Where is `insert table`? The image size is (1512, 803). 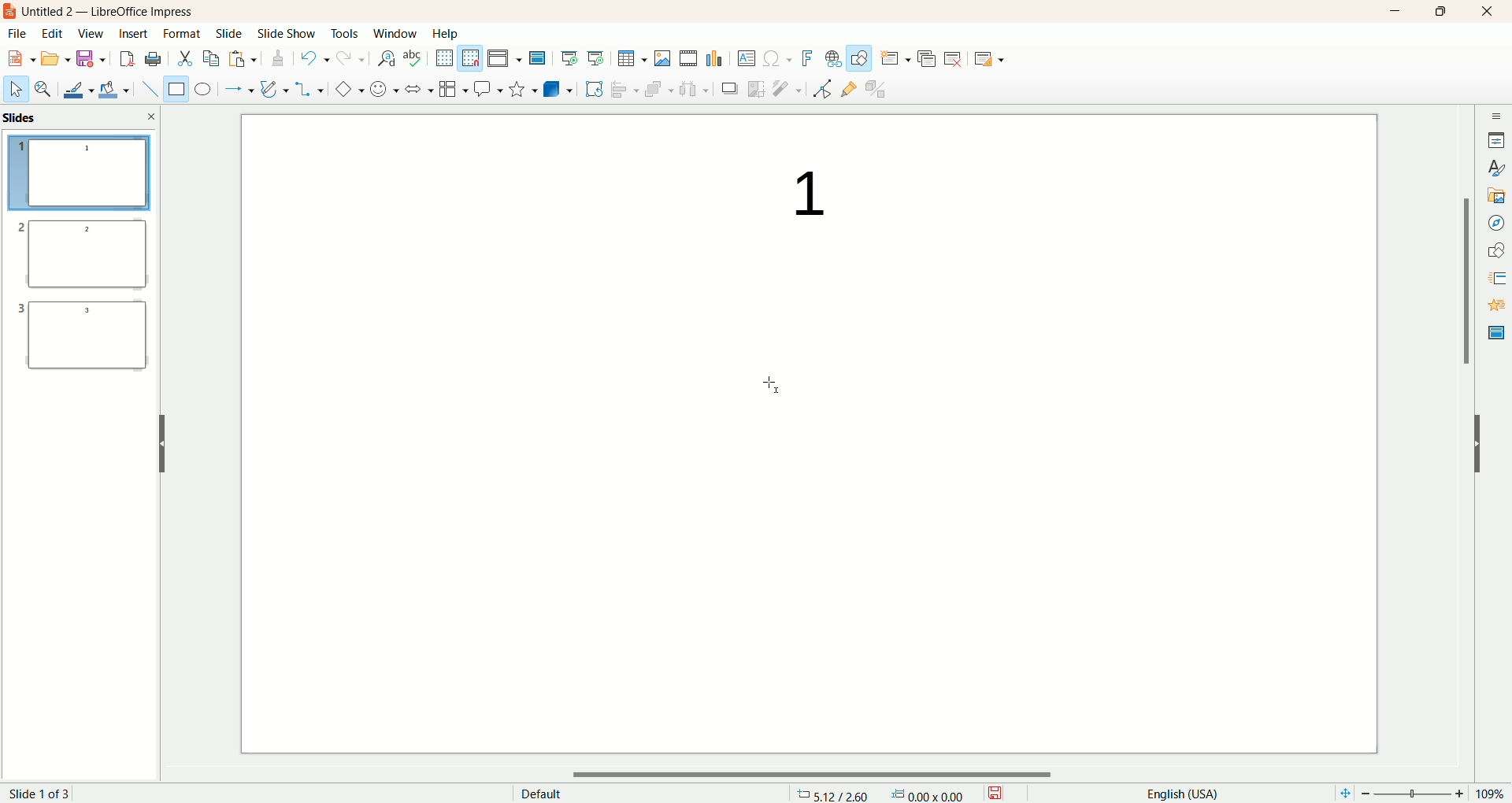 insert table is located at coordinates (632, 58).